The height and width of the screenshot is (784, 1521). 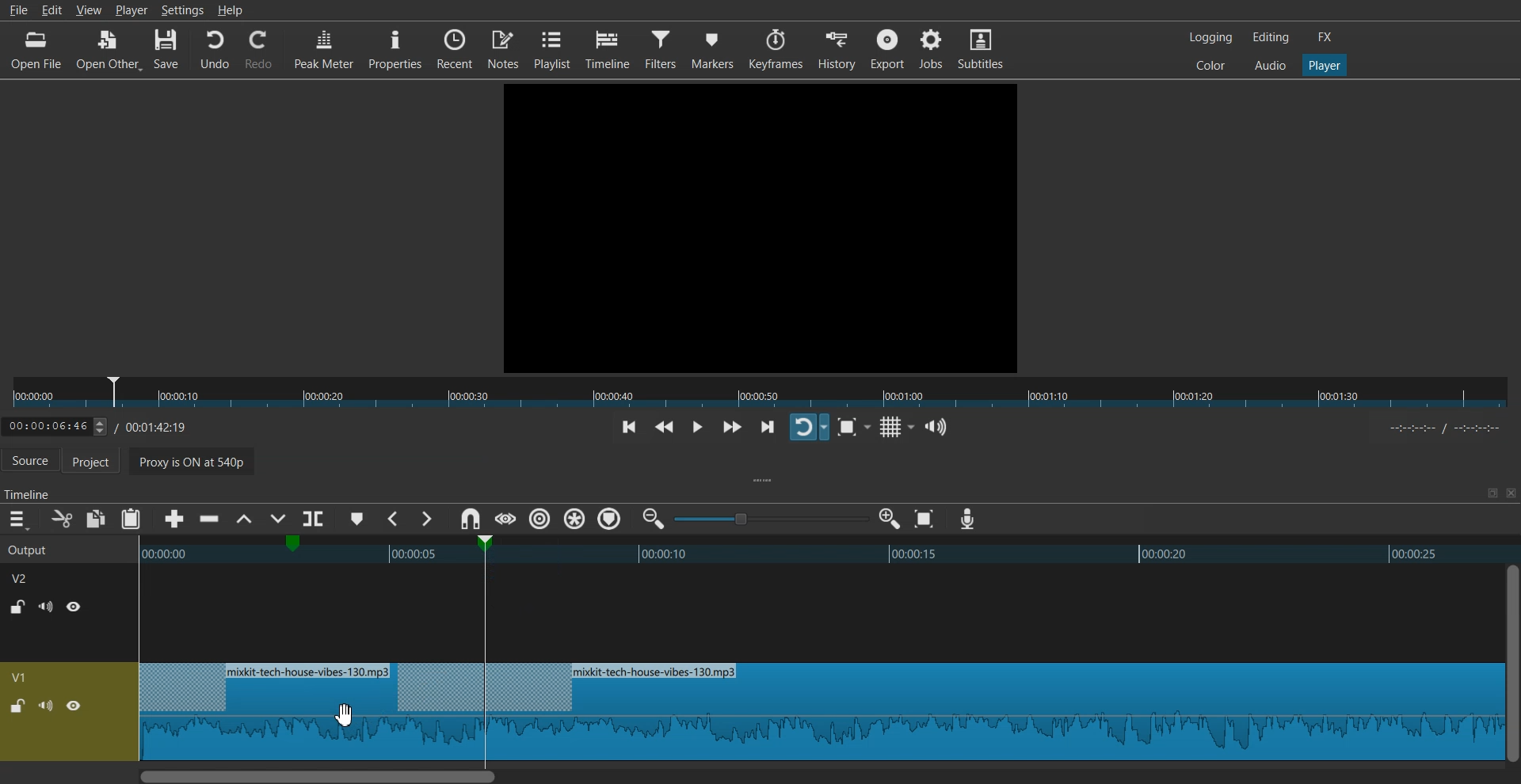 I want to click on Lift, so click(x=243, y=519).